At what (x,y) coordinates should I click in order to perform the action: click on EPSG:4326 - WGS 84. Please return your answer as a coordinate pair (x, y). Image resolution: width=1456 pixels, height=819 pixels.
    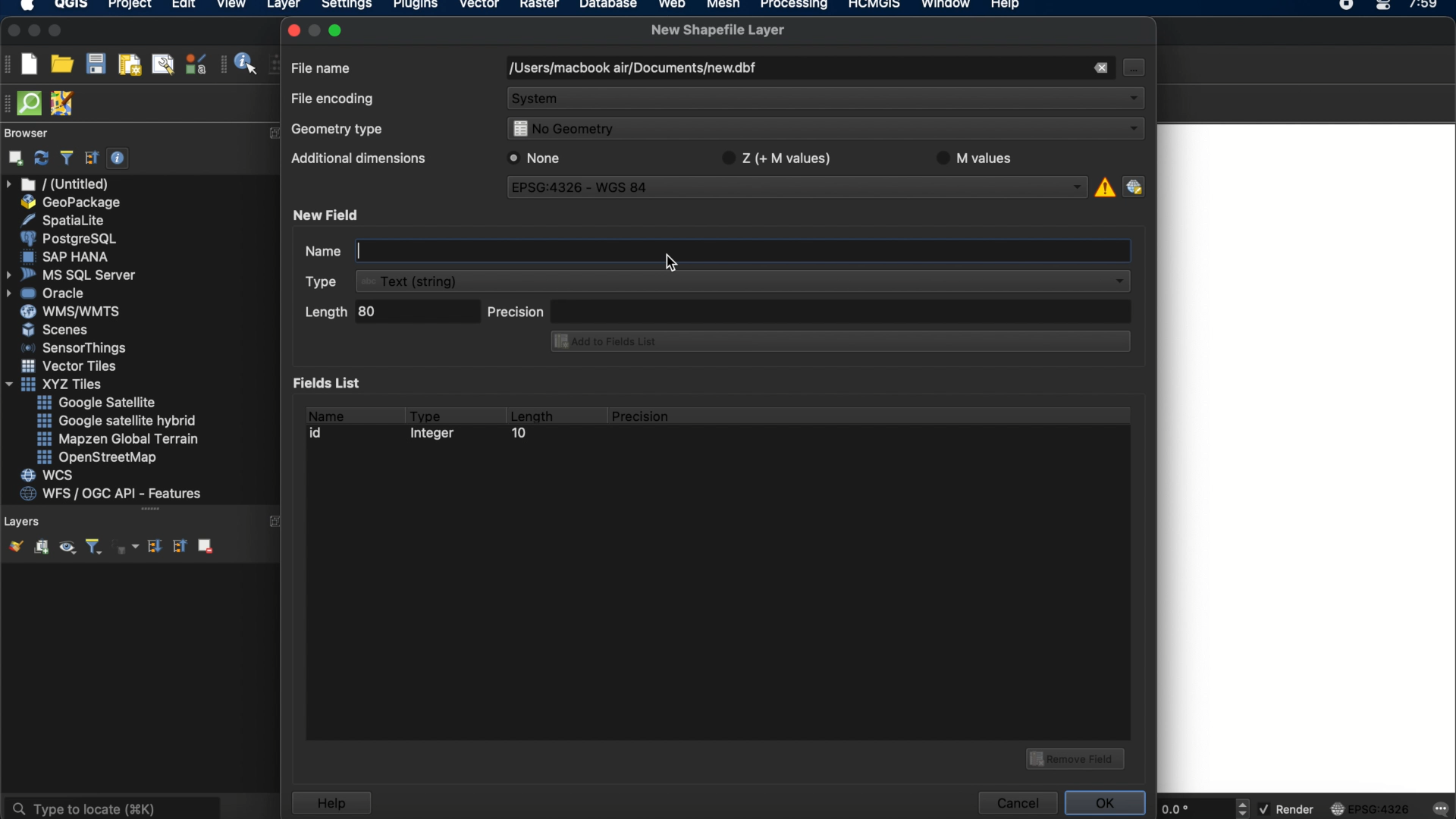
    Looking at the image, I should click on (799, 190).